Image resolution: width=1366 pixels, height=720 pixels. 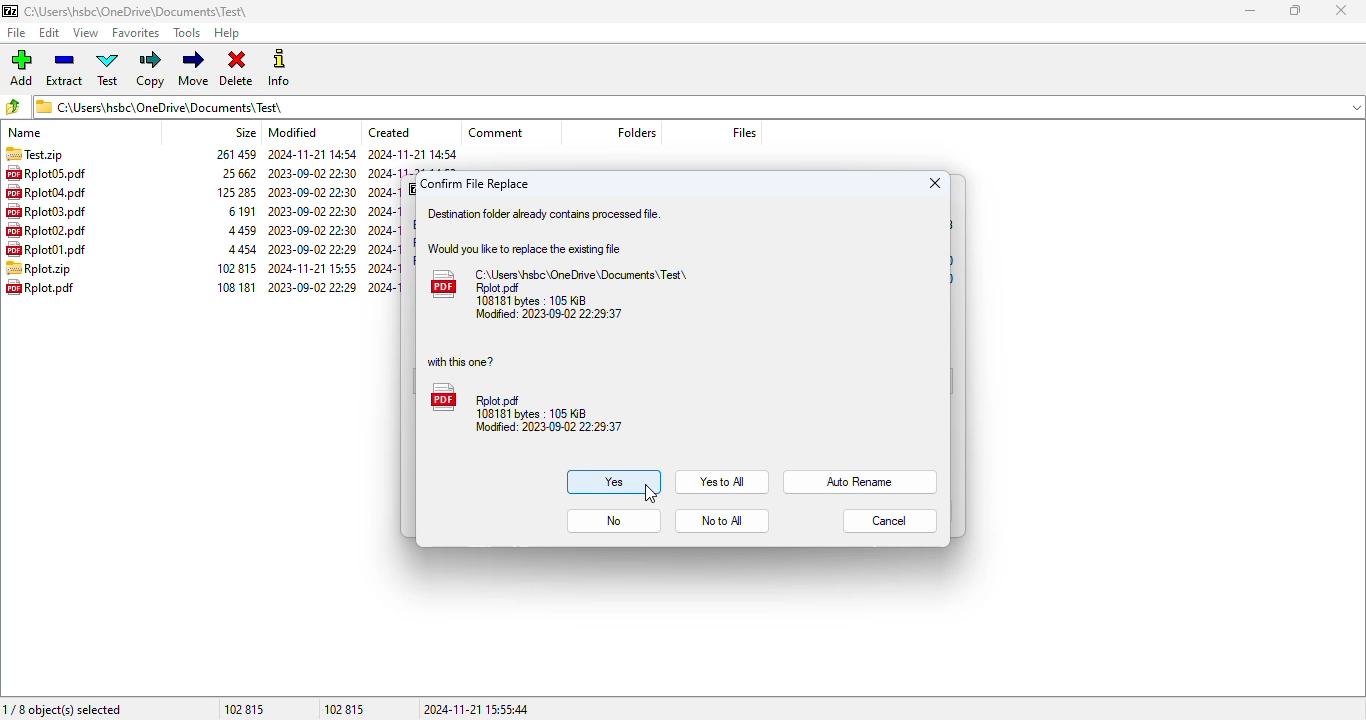 I want to click on destination folder already contains processed file, so click(x=543, y=214).